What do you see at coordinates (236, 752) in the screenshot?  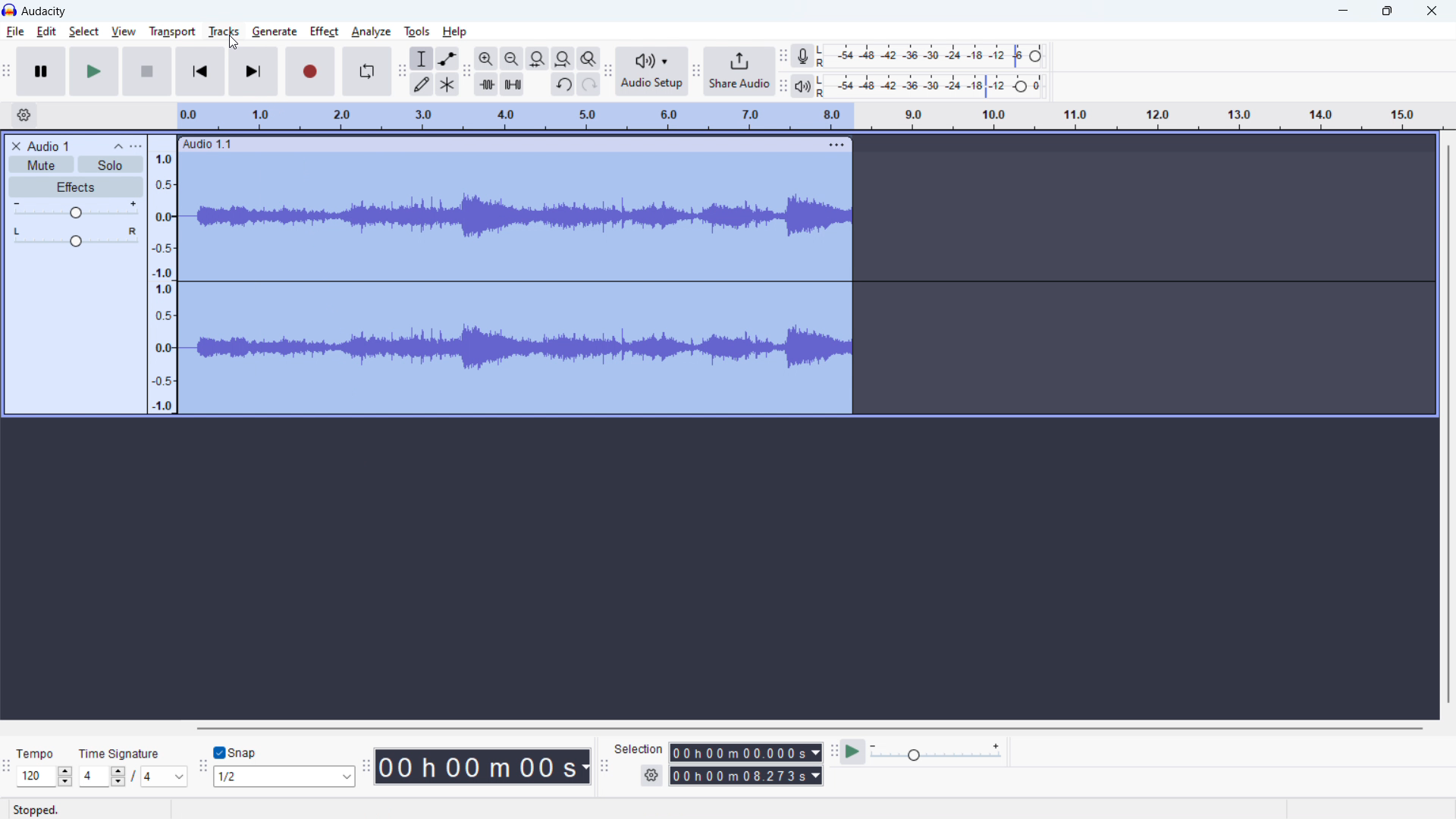 I see `toggle snap` at bounding box center [236, 752].